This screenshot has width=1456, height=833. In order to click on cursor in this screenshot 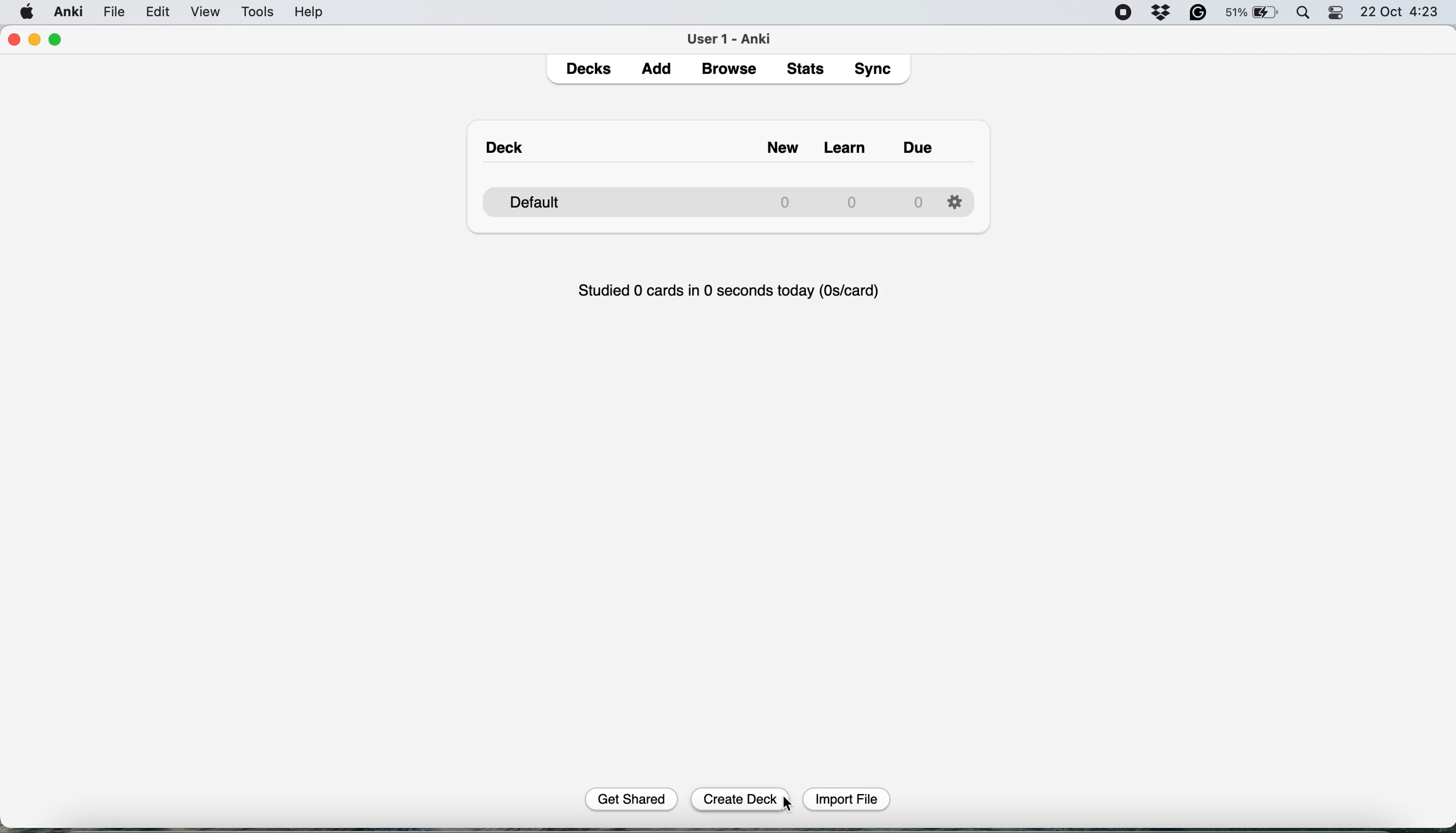, I will do `click(790, 804)`.